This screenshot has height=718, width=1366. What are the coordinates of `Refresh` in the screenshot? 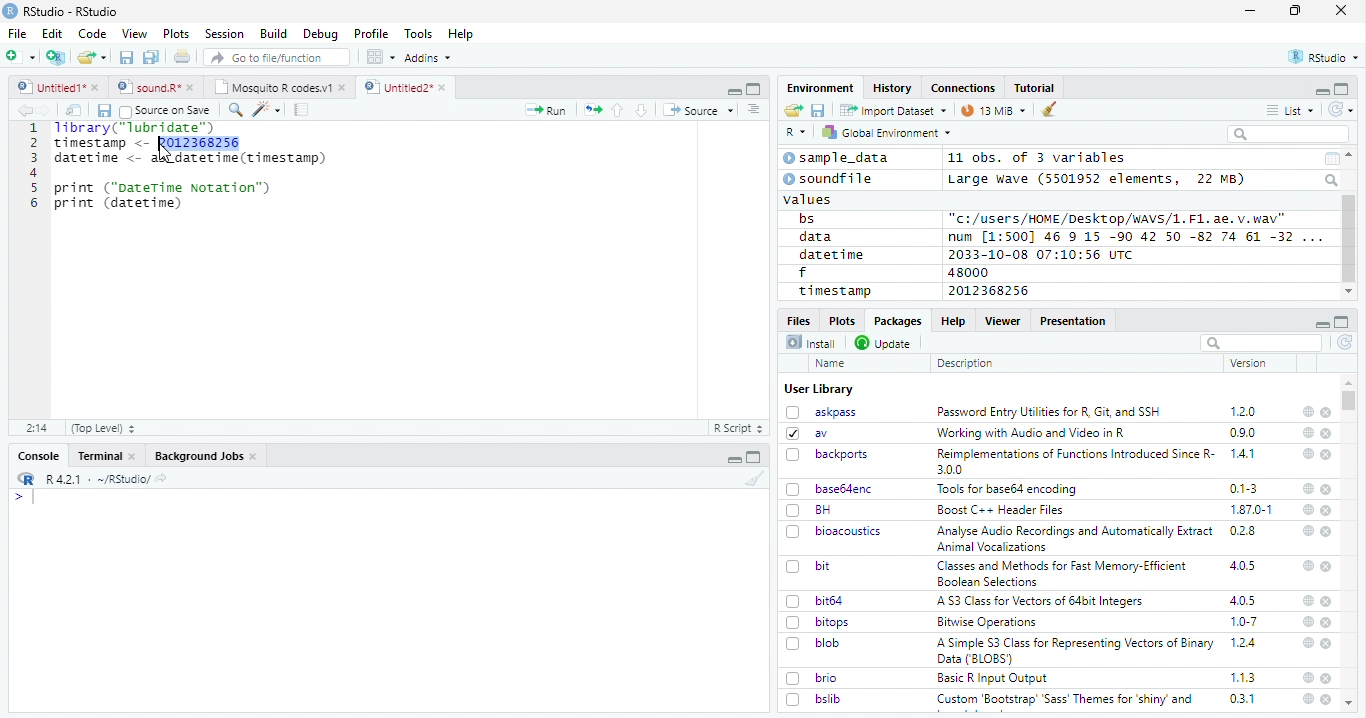 It's located at (1346, 344).